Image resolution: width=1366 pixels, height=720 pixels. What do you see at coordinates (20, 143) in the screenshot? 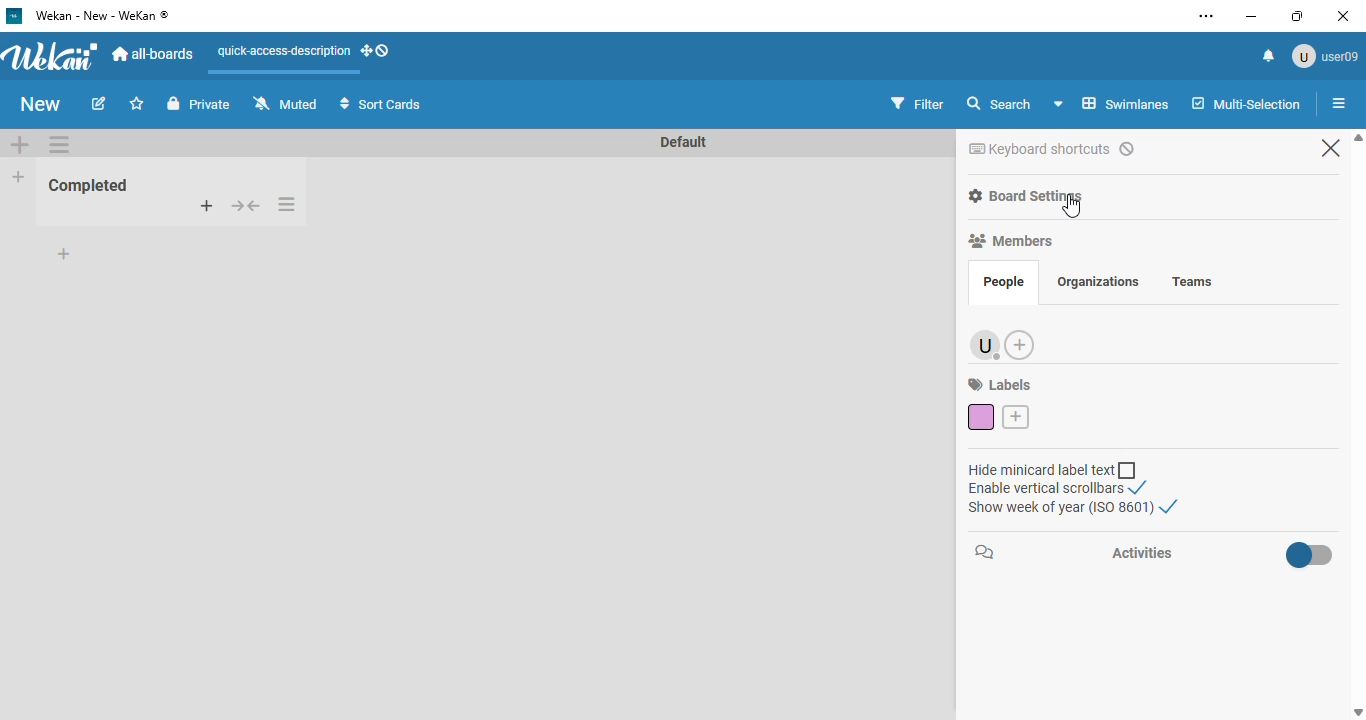
I see `add swimlane` at bounding box center [20, 143].